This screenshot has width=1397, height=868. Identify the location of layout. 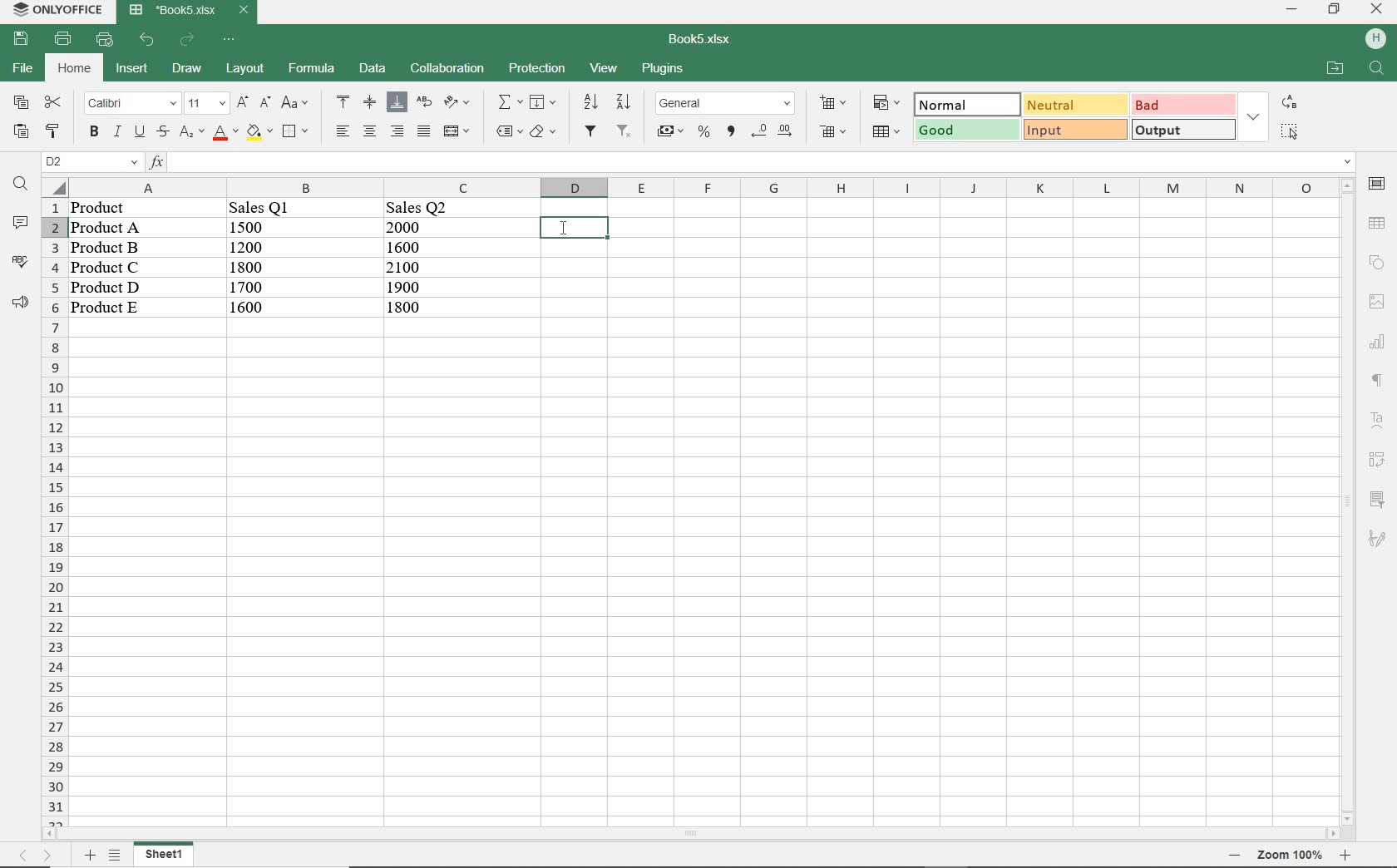
(247, 69).